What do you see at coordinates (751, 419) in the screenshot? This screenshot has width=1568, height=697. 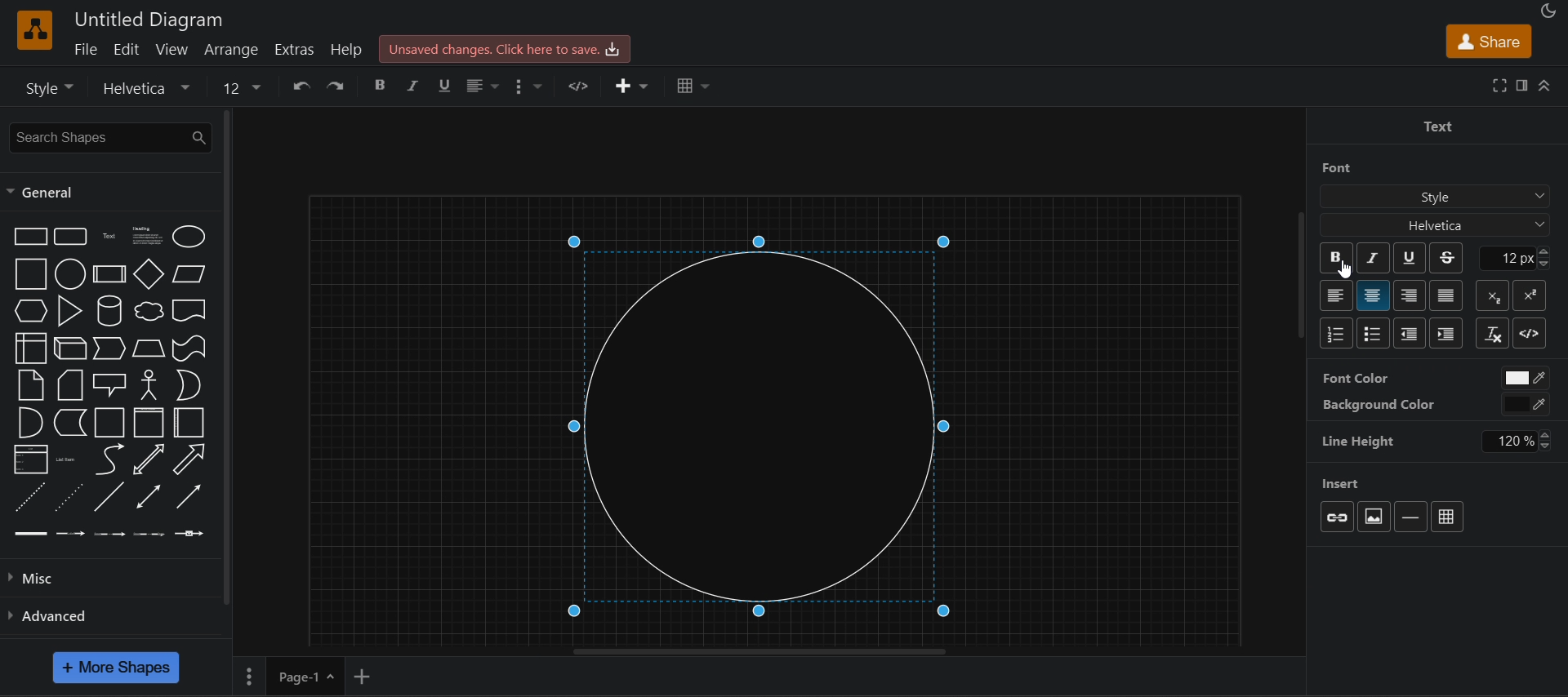 I see `circle` at bounding box center [751, 419].